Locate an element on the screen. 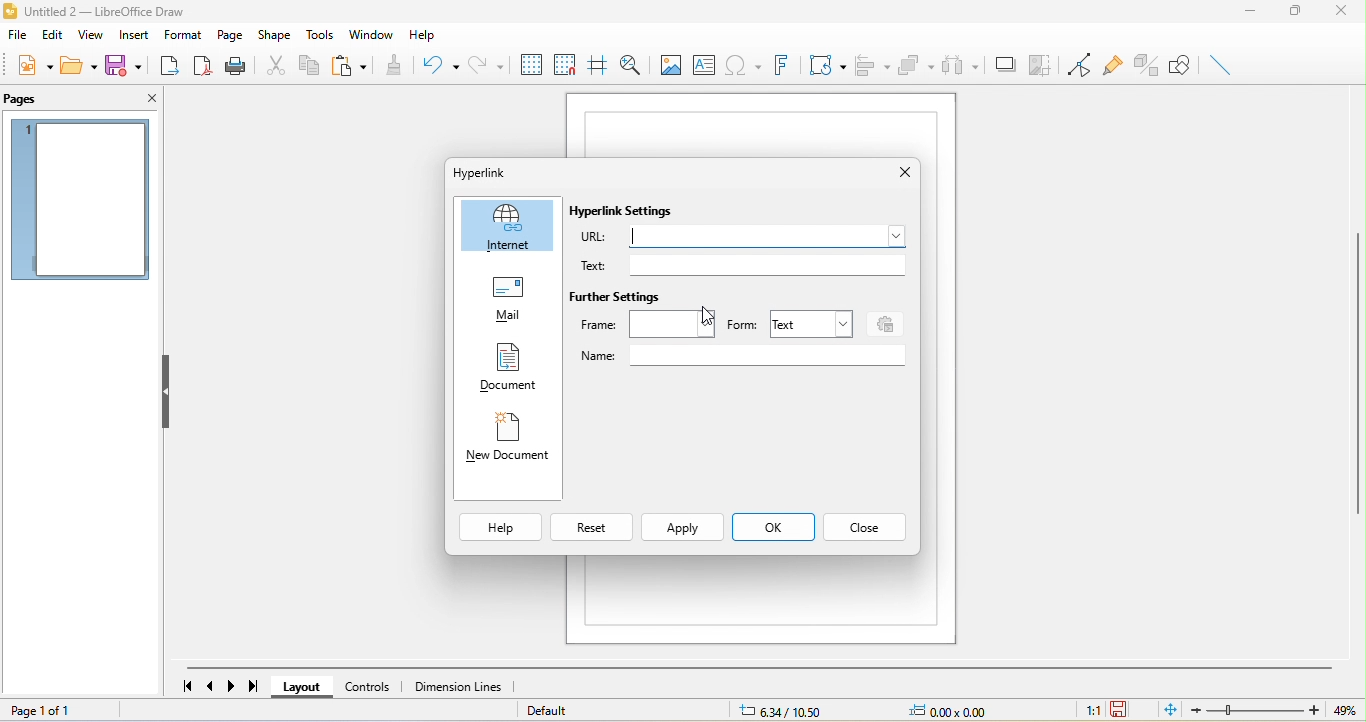 The image size is (1366, 722). insert line is located at coordinates (1220, 64).